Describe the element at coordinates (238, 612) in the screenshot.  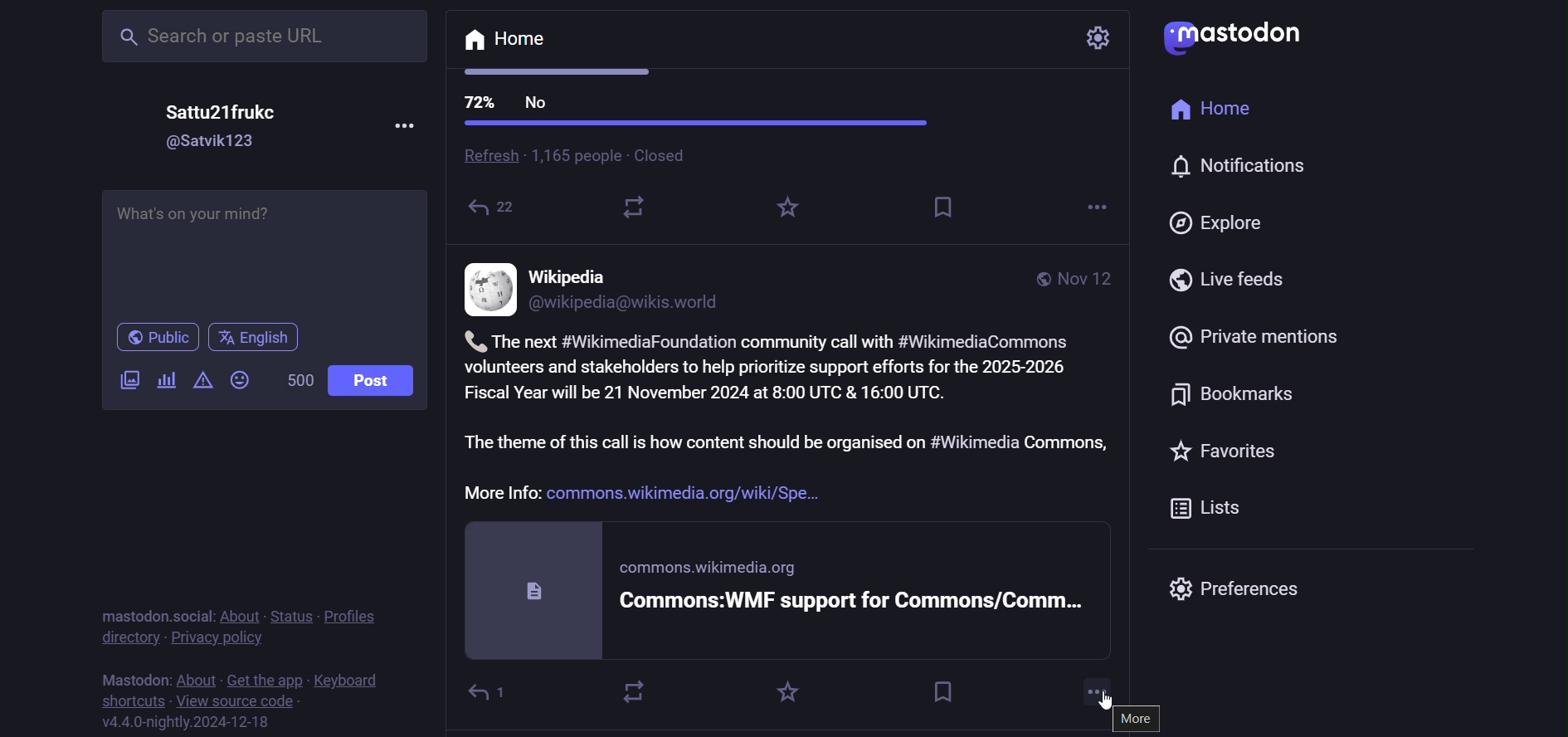
I see `about` at that location.